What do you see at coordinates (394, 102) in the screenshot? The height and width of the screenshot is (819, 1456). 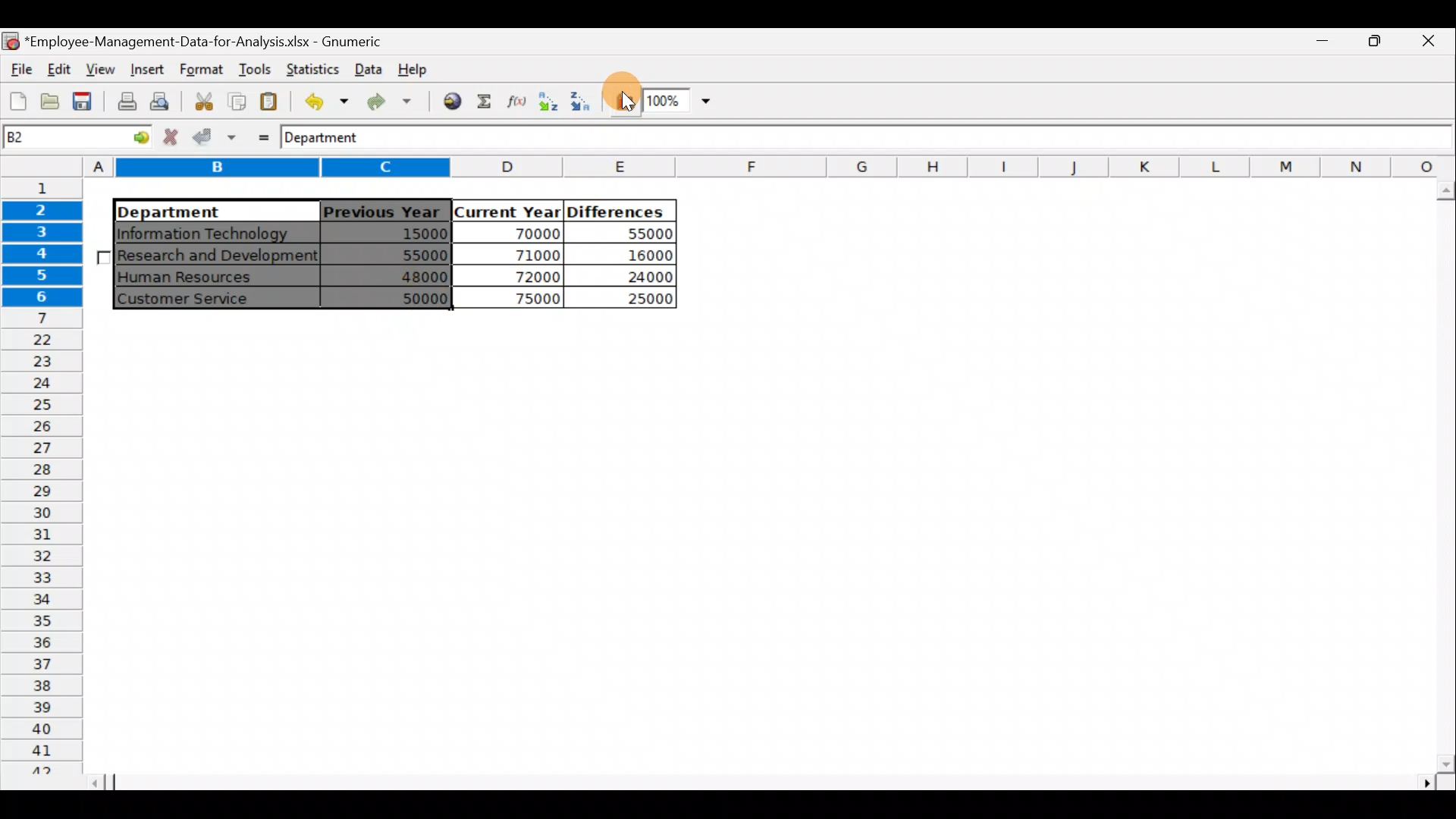 I see `Redo undone action` at bounding box center [394, 102].